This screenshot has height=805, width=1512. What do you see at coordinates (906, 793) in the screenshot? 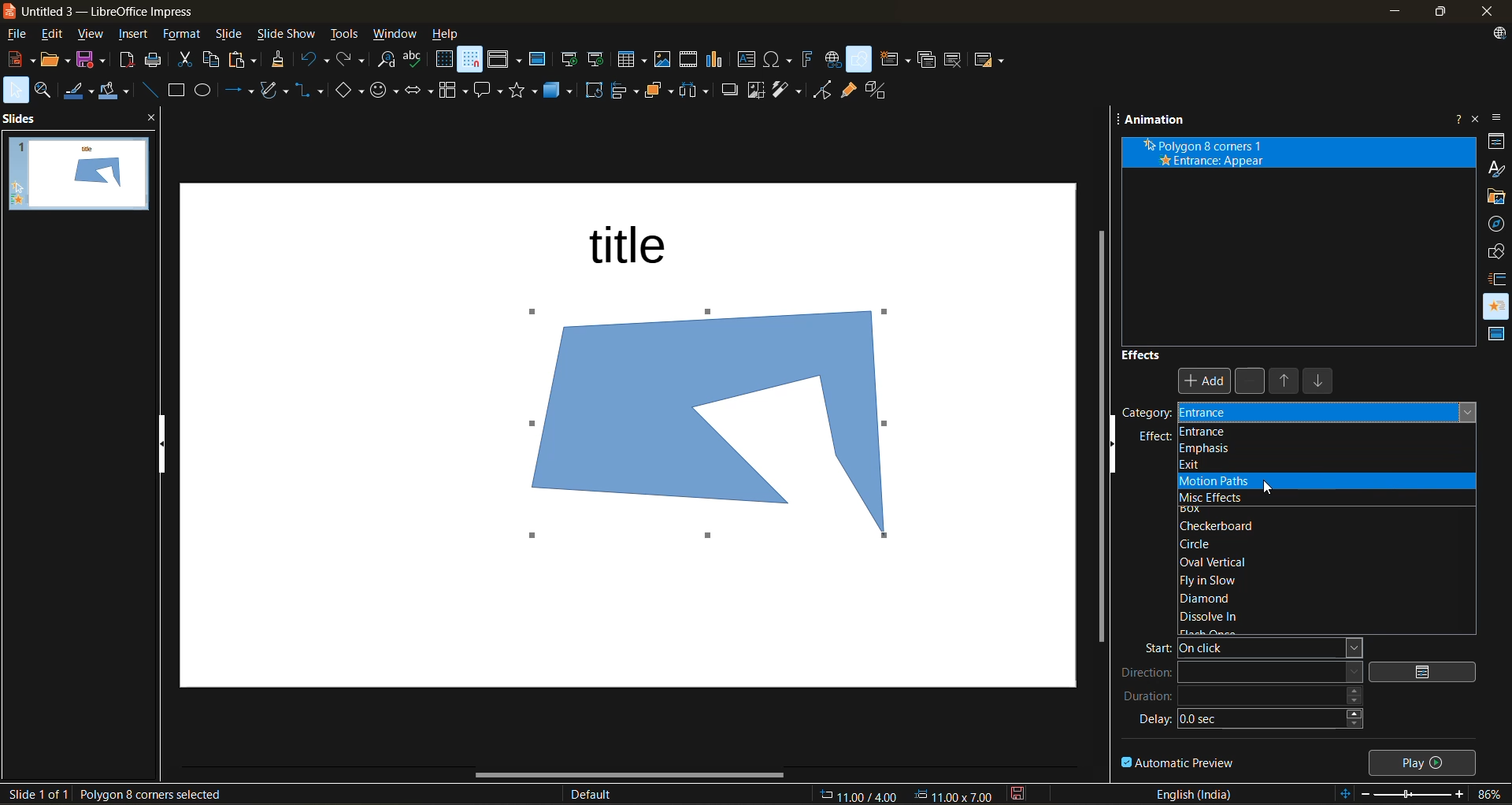
I see `coordinates` at bounding box center [906, 793].